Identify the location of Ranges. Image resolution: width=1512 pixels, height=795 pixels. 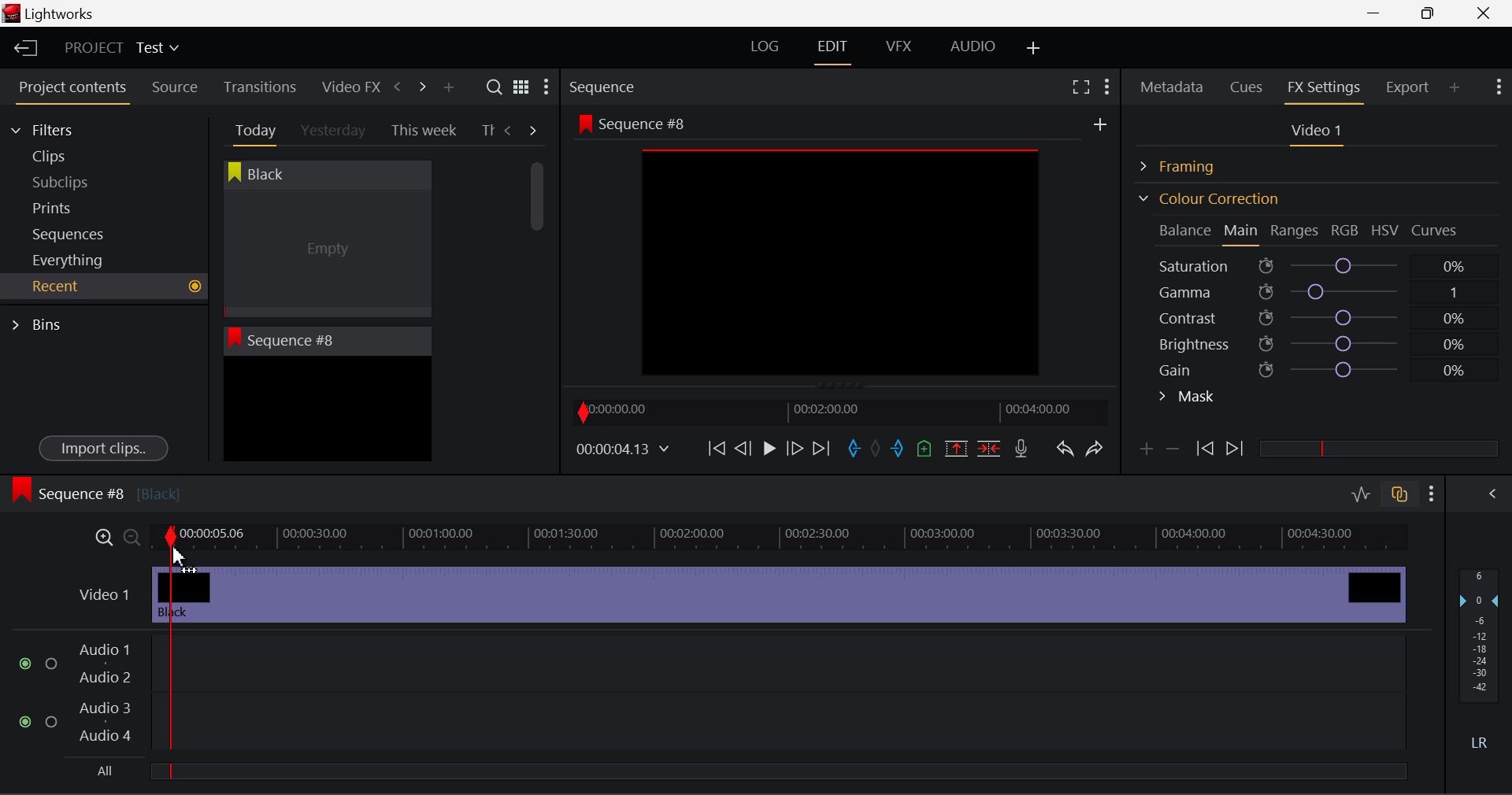
(1295, 232).